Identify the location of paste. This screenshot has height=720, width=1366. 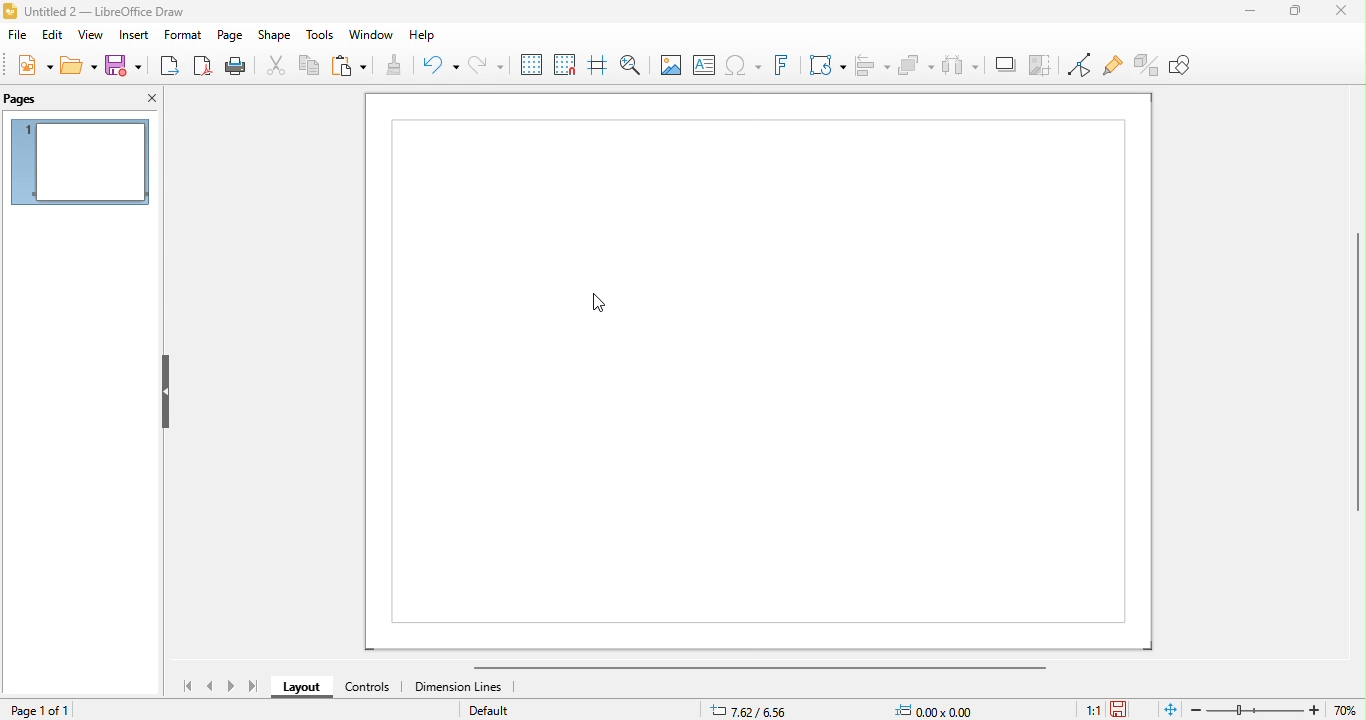
(348, 67).